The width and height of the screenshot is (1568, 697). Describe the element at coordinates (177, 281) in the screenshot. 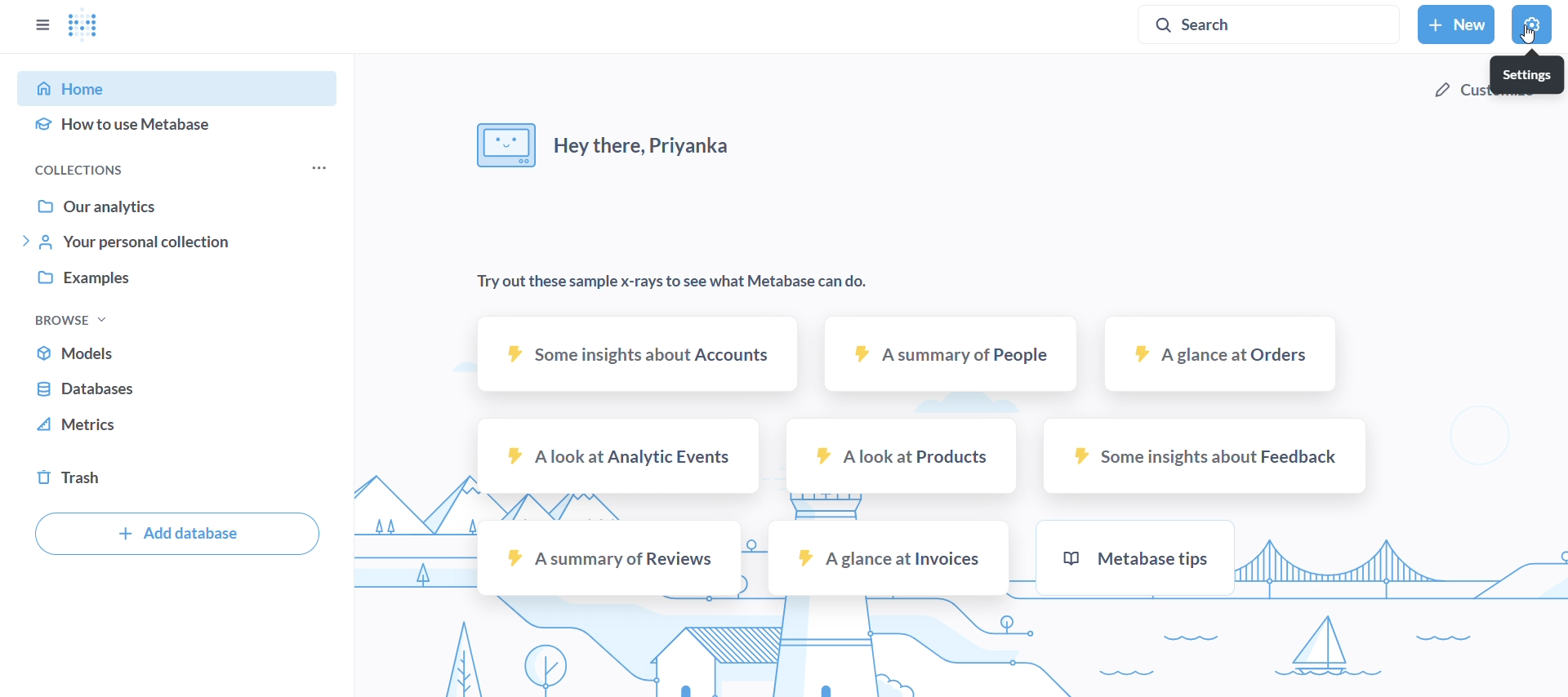

I see `examples` at that location.